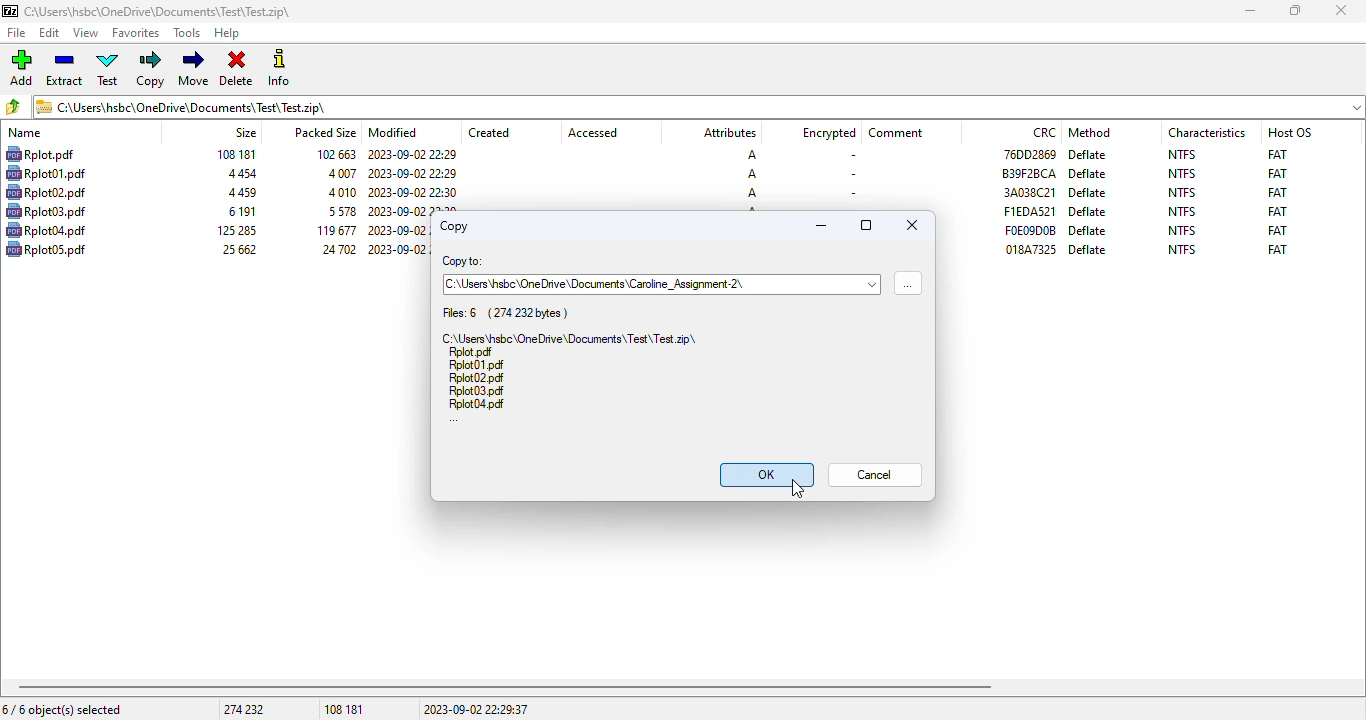 The width and height of the screenshot is (1366, 720). I want to click on NTFS, so click(1183, 230).